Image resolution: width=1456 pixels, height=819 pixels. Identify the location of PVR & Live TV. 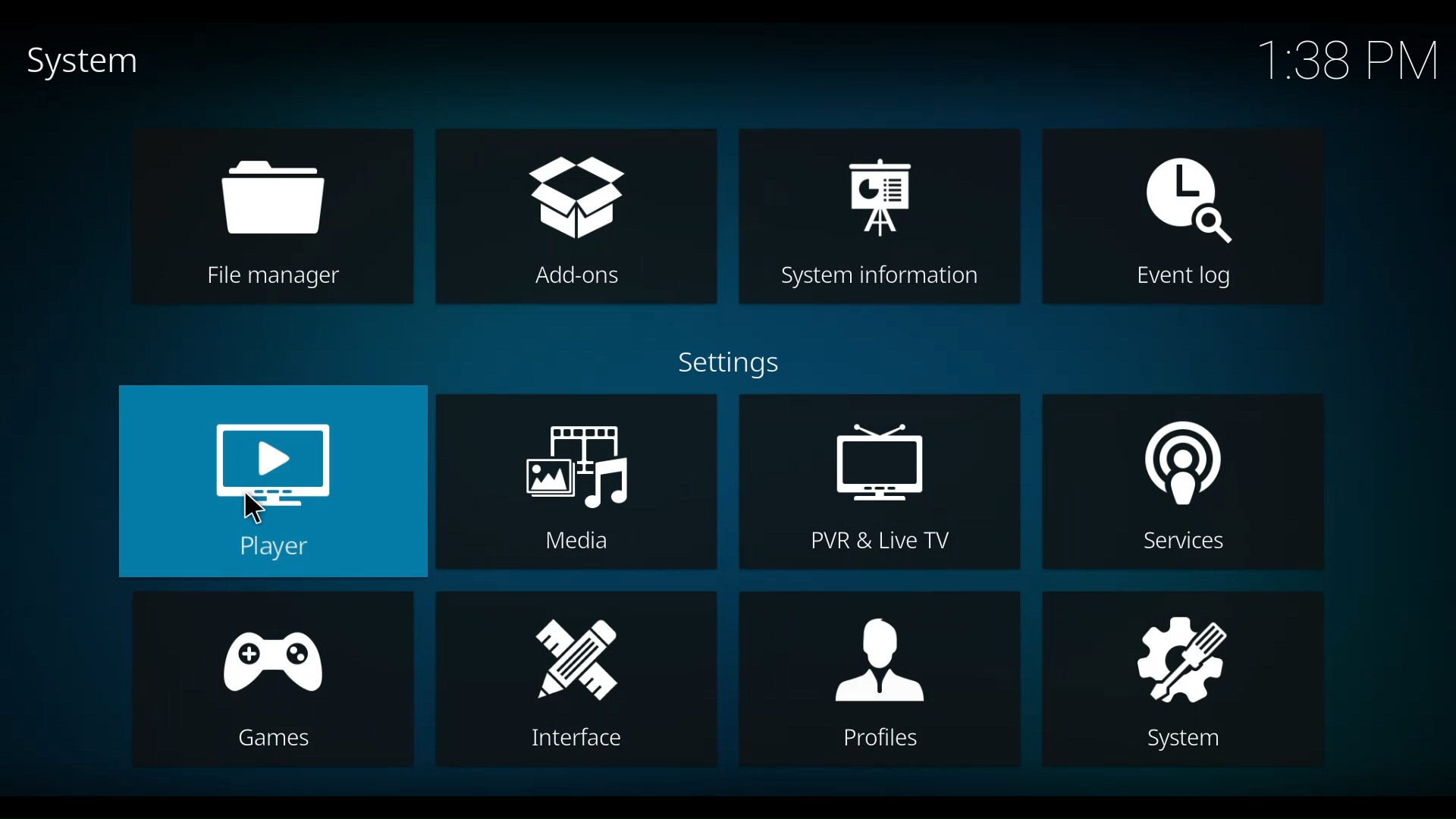
(882, 482).